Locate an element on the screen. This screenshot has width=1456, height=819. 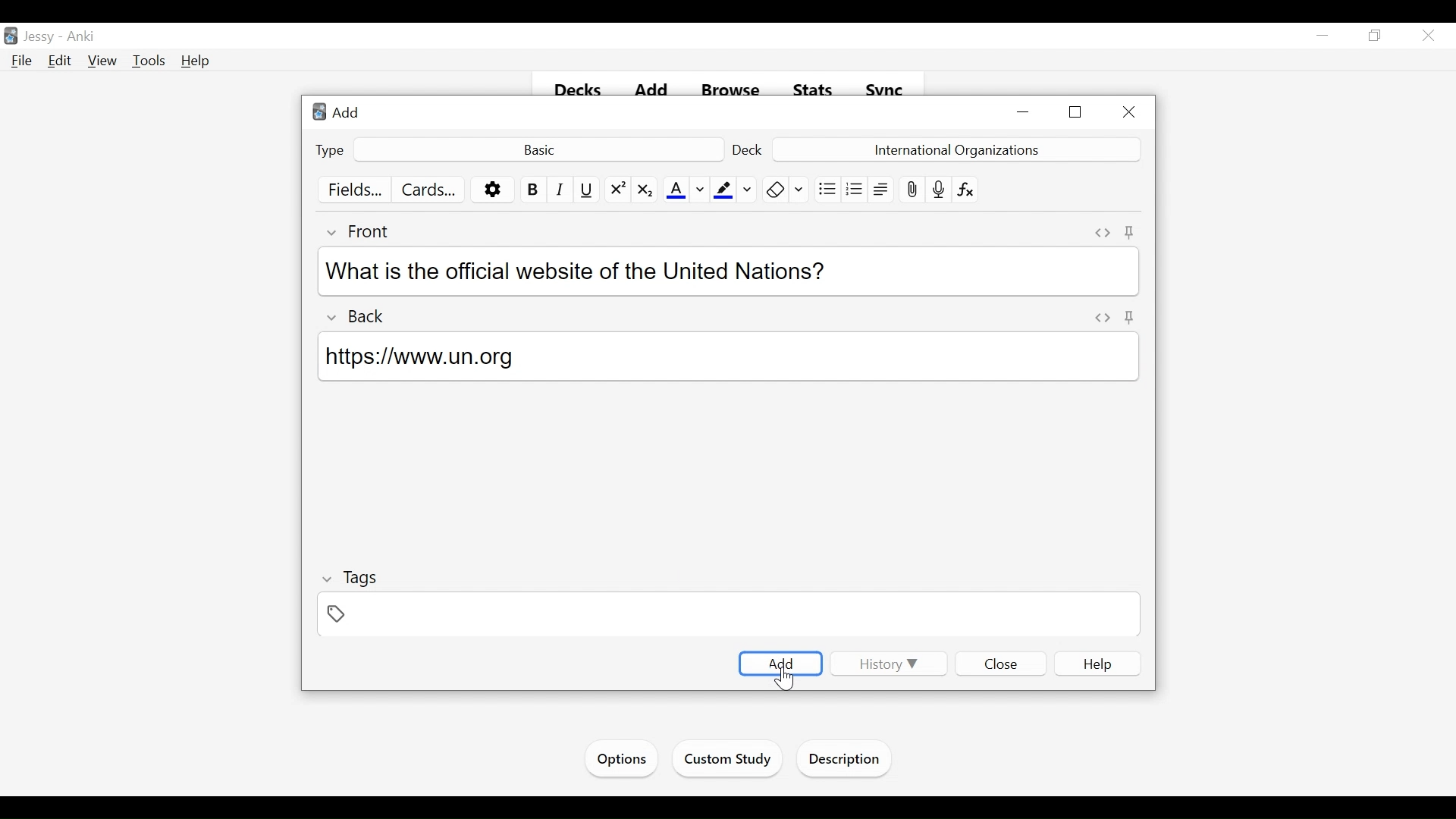
Add is located at coordinates (780, 661).